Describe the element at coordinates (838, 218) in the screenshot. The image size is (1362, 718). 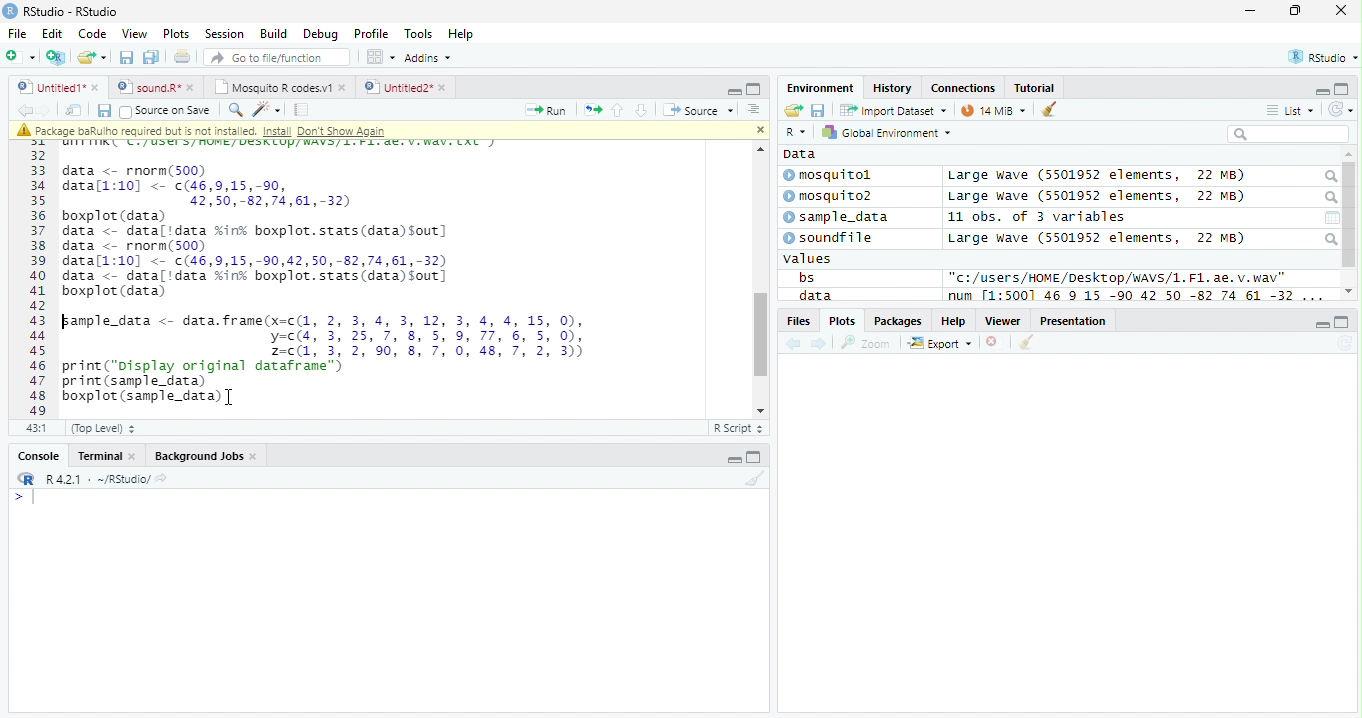
I see `sample_data` at that location.